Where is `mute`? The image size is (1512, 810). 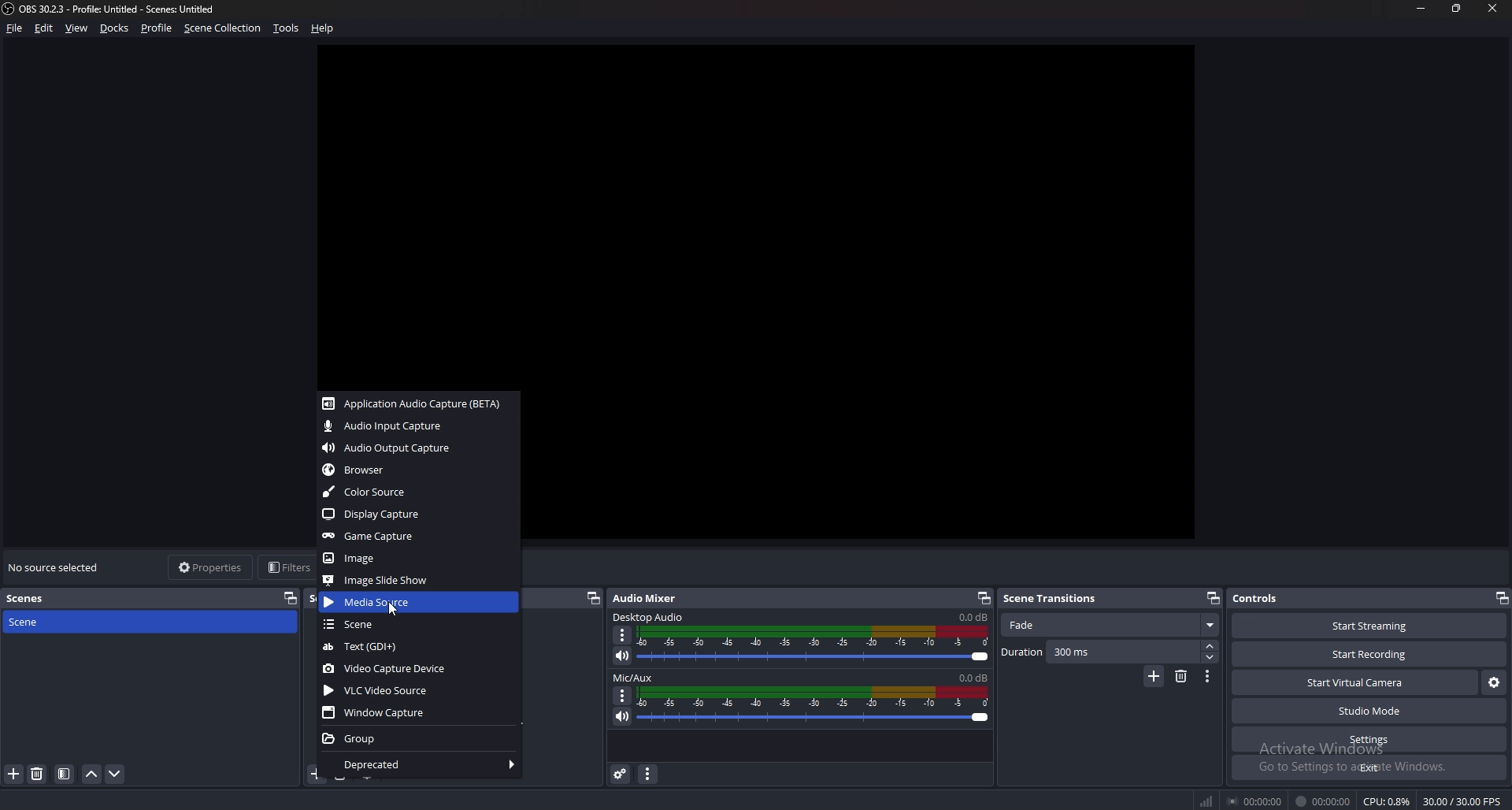
mute is located at coordinates (622, 656).